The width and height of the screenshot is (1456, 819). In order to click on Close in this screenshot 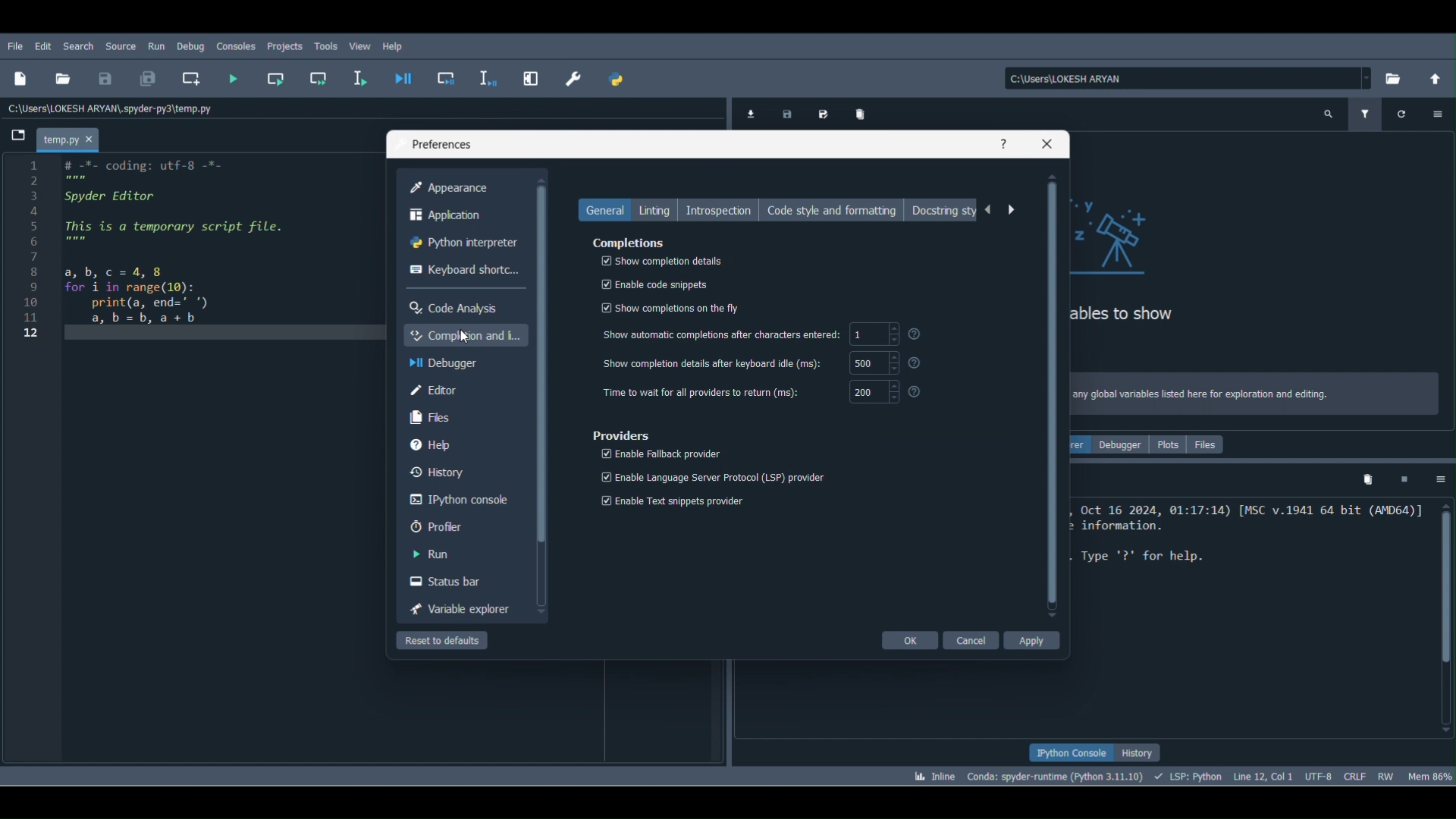, I will do `click(1049, 143)`.